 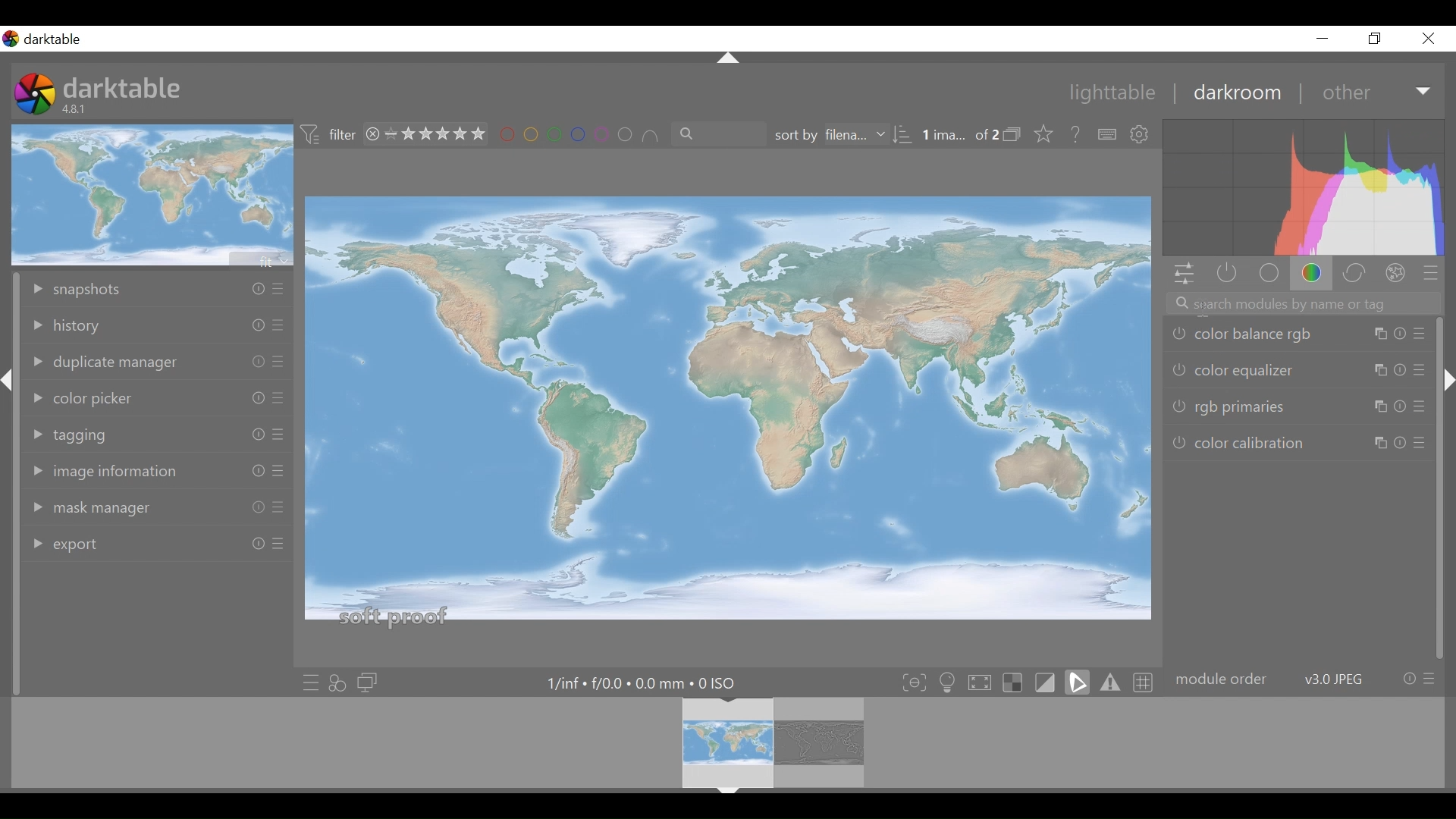 What do you see at coordinates (1447, 380) in the screenshot?
I see `expand/collapse` at bounding box center [1447, 380].